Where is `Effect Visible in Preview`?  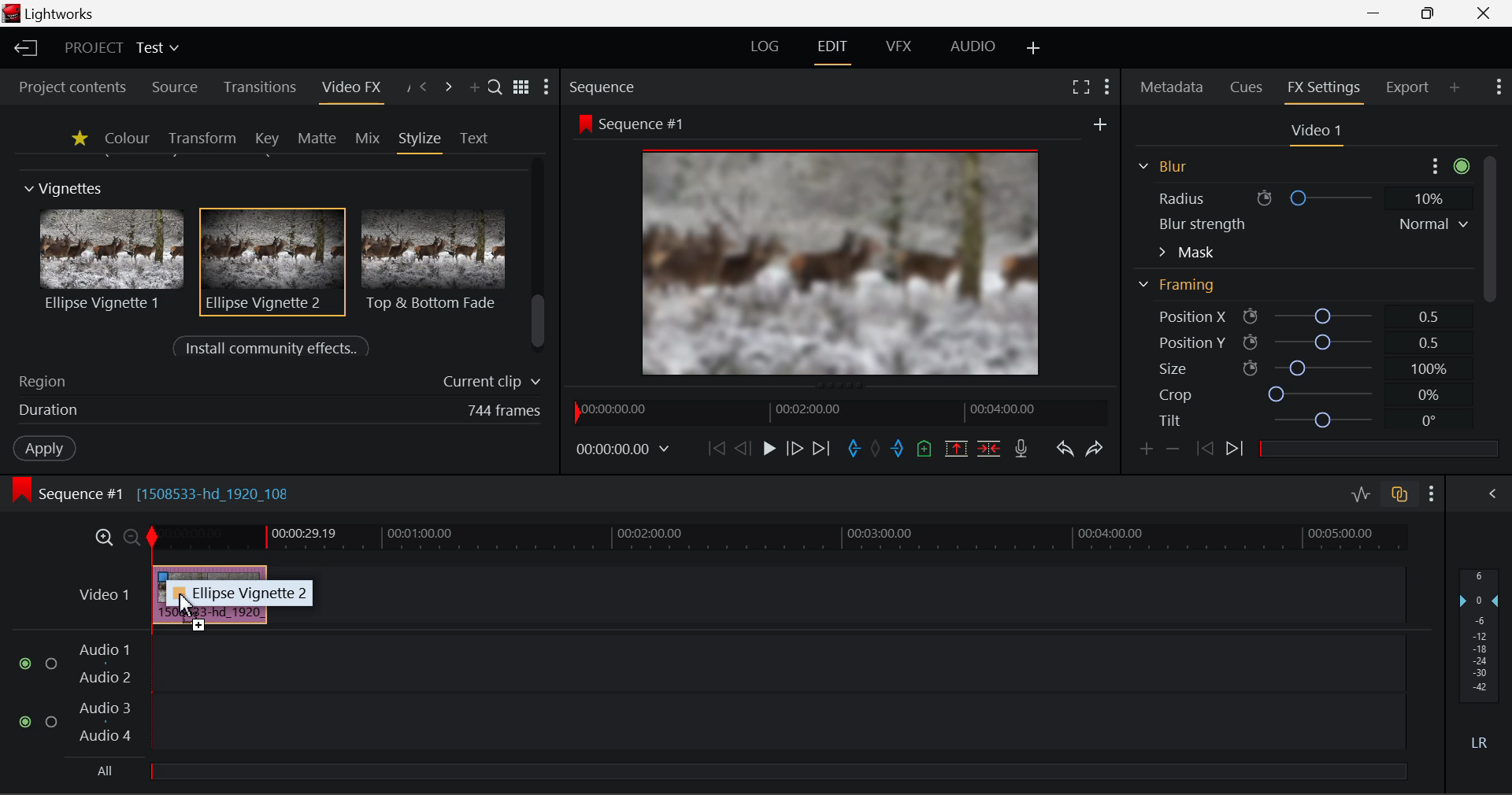 Effect Visible in Preview is located at coordinates (818, 246).